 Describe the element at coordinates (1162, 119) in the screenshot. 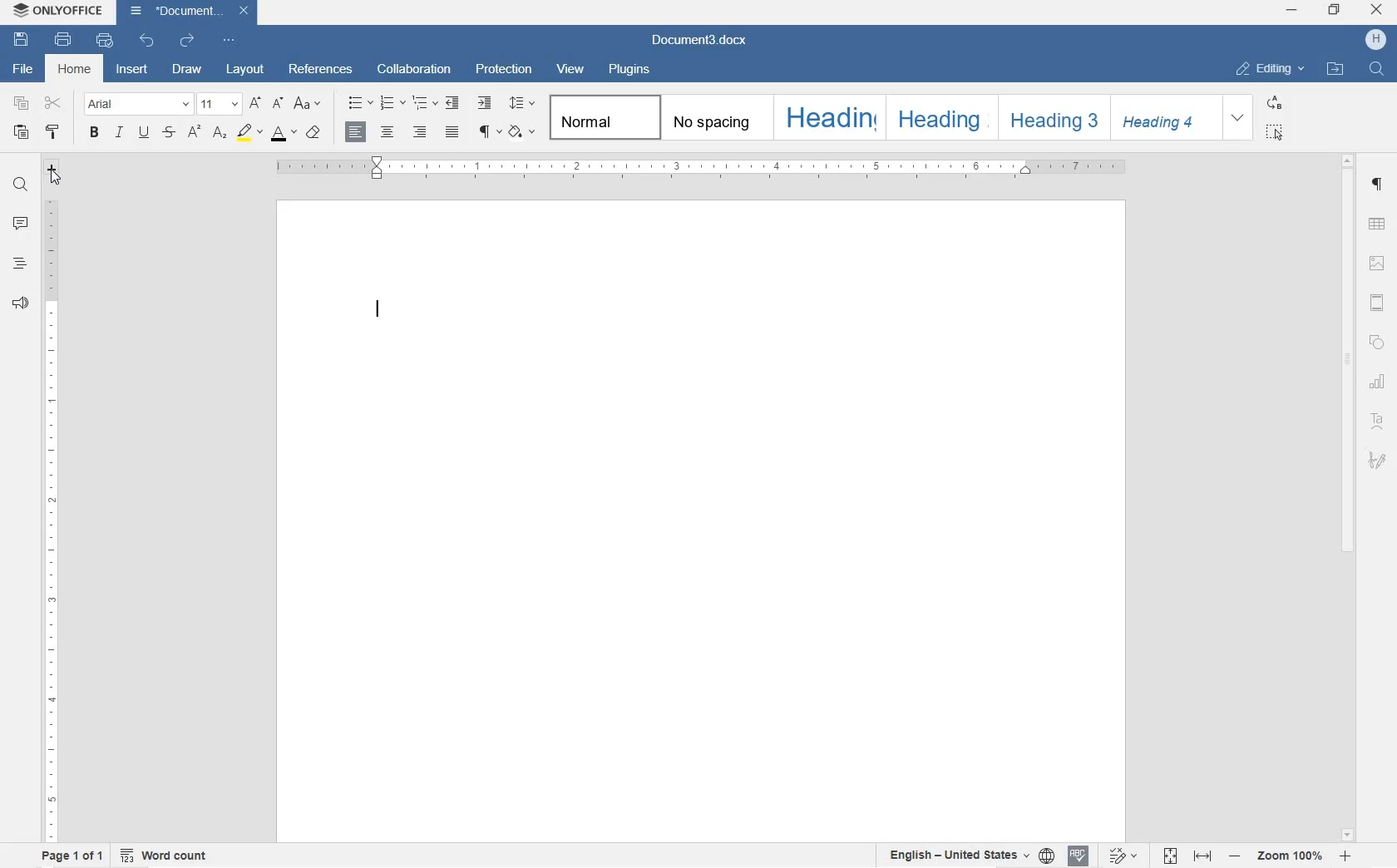

I see `HEADING 4` at that location.